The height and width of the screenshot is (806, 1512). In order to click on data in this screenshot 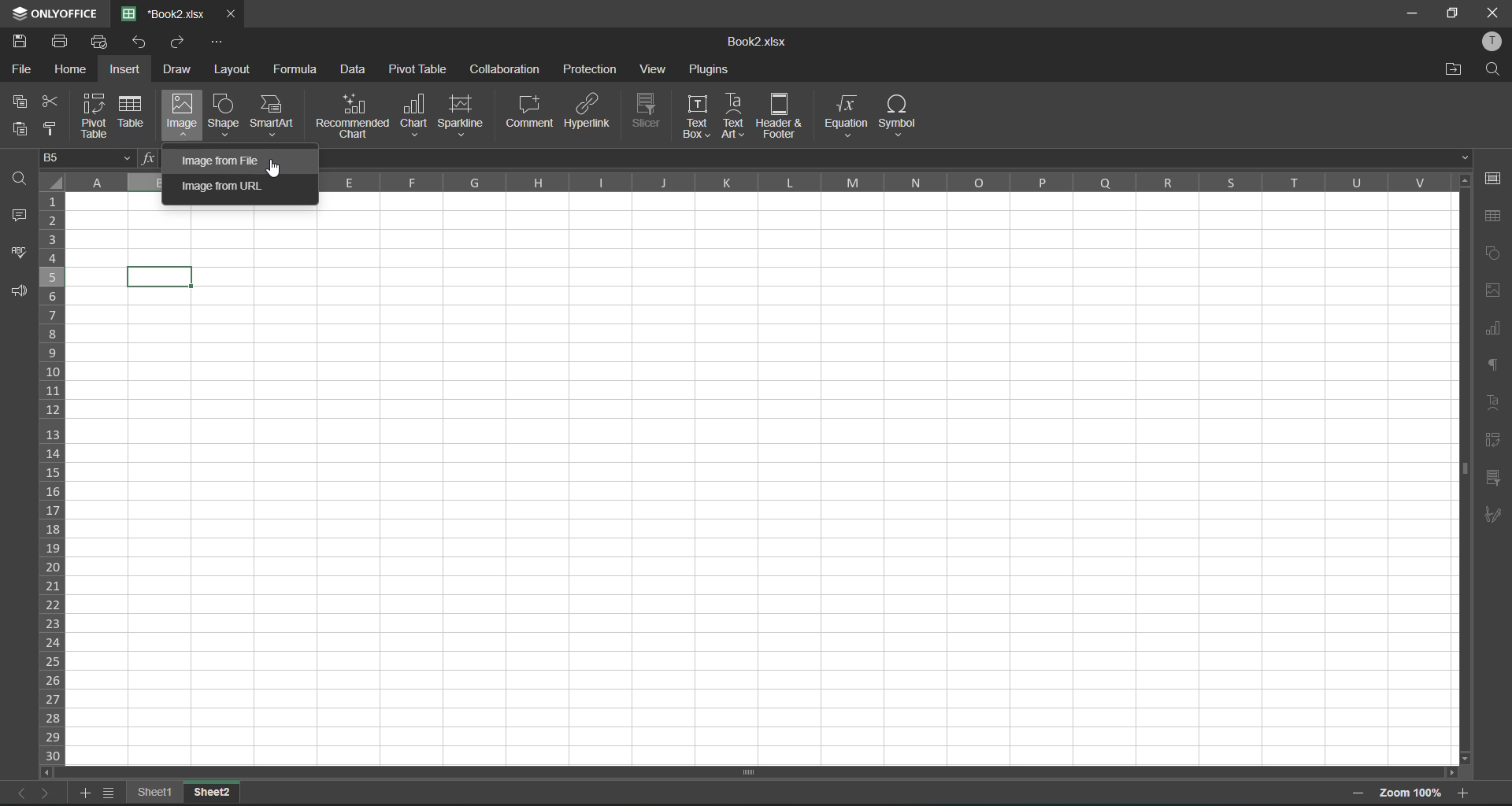, I will do `click(355, 70)`.